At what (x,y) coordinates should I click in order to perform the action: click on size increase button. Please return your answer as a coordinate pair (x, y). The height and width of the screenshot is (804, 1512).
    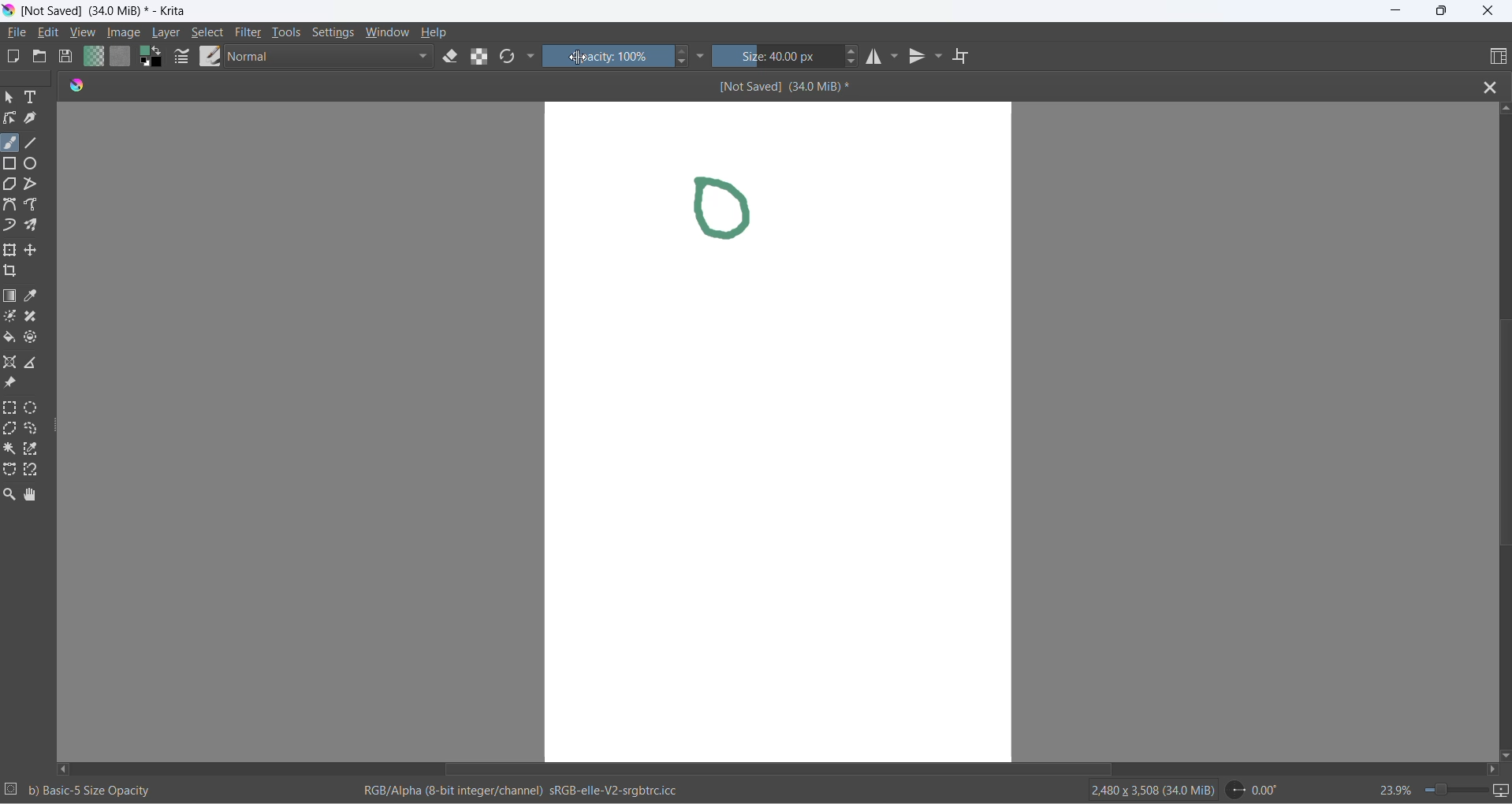
    Looking at the image, I should click on (855, 52).